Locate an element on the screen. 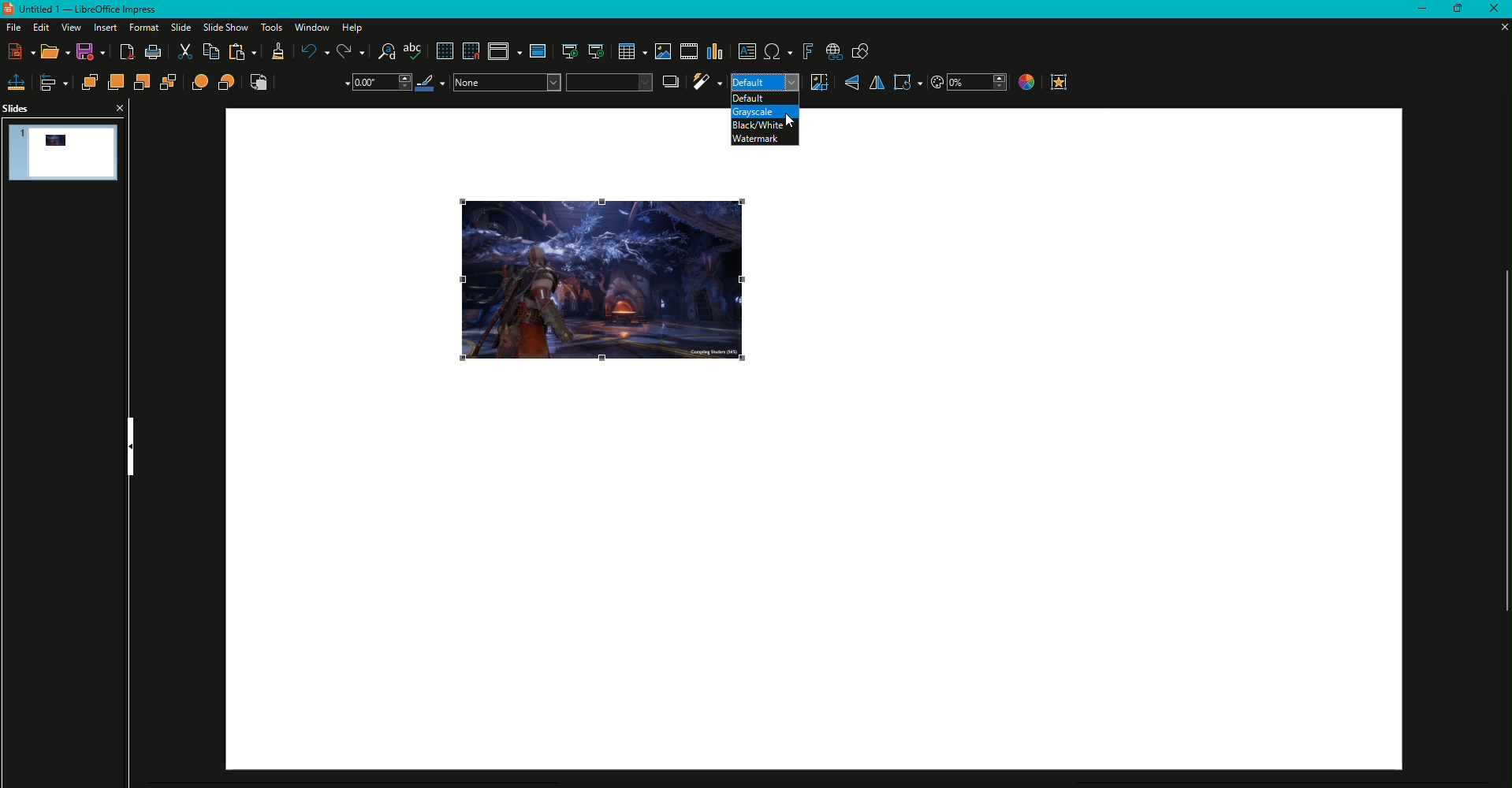  cursor is located at coordinates (794, 121).